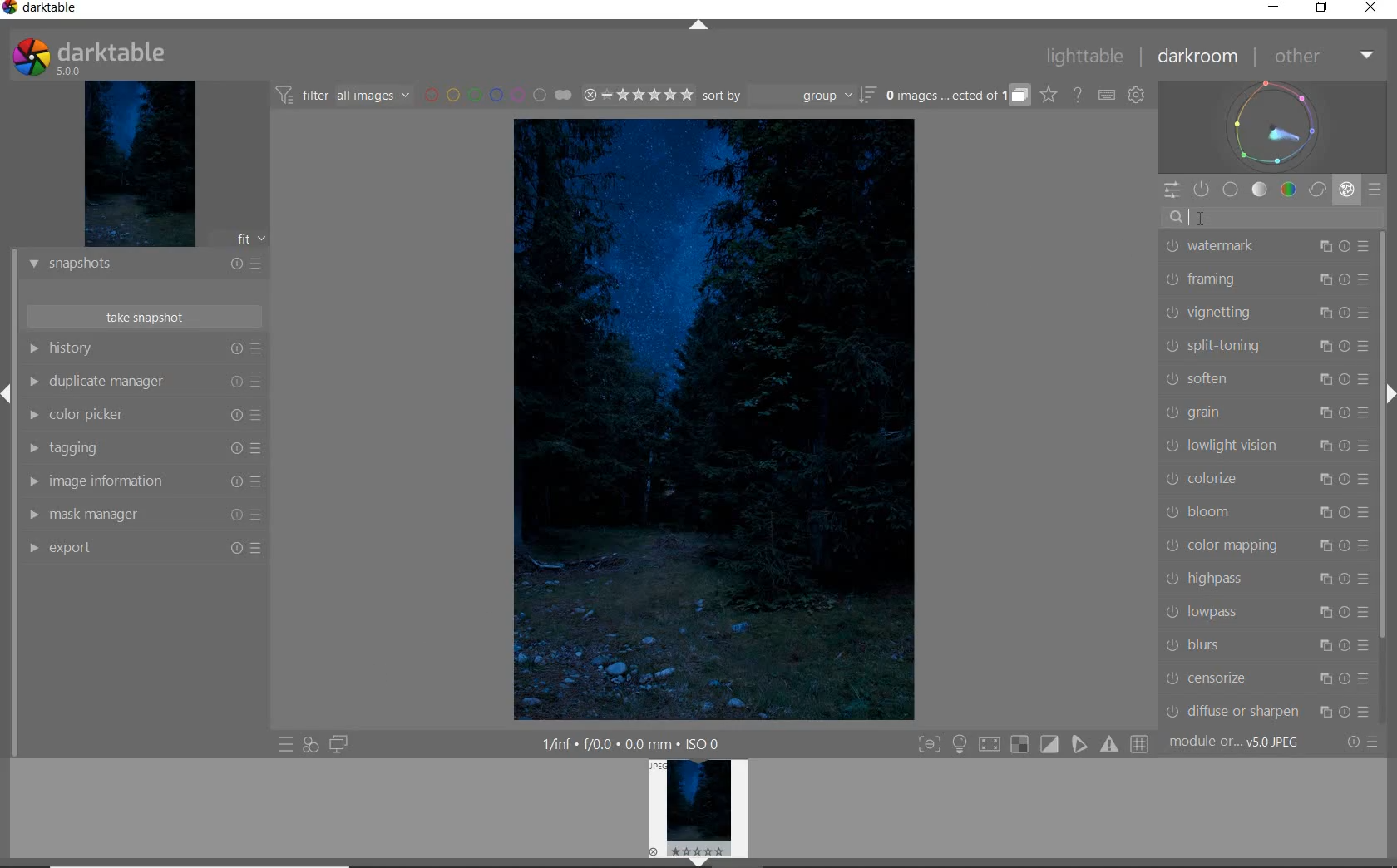  Describe the element at coordinates (8, 392) in the screenshot. I see `Expand/Collapse` at that location.